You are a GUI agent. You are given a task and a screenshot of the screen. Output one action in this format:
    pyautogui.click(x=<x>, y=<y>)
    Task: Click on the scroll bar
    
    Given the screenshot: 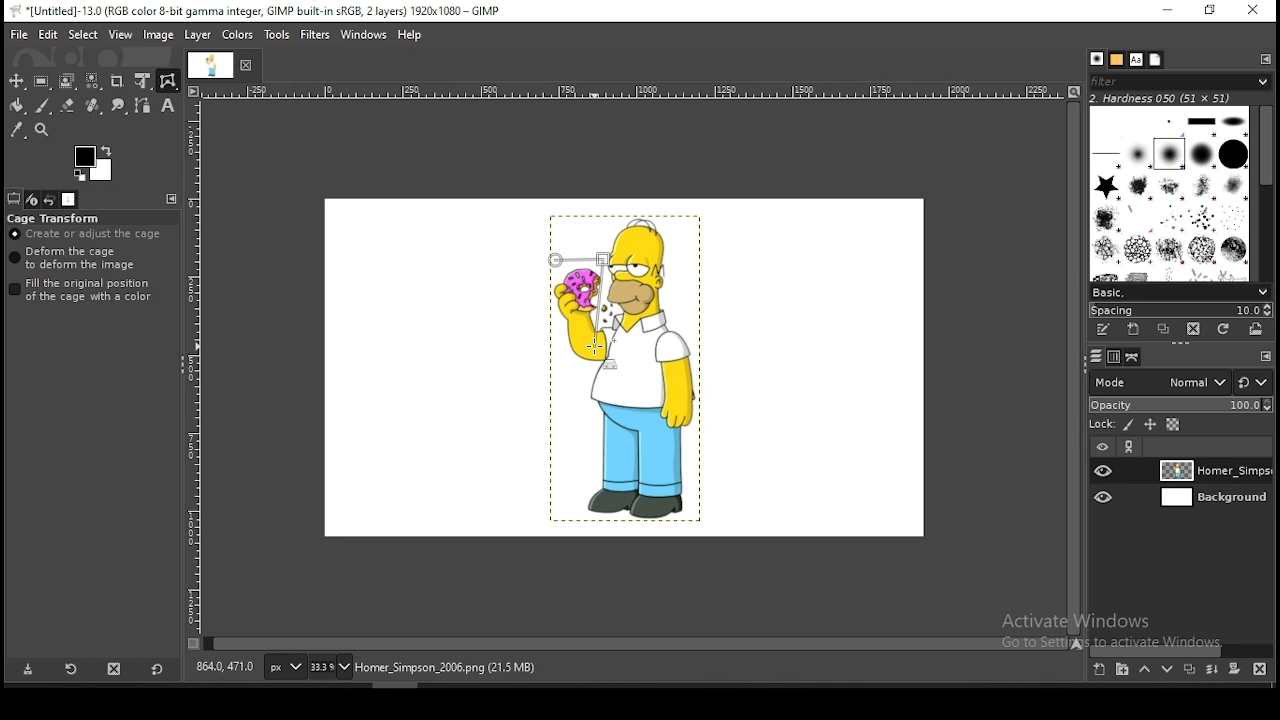 What is the action you would take?
    pyautogui.click(x=1072, y=367)
    